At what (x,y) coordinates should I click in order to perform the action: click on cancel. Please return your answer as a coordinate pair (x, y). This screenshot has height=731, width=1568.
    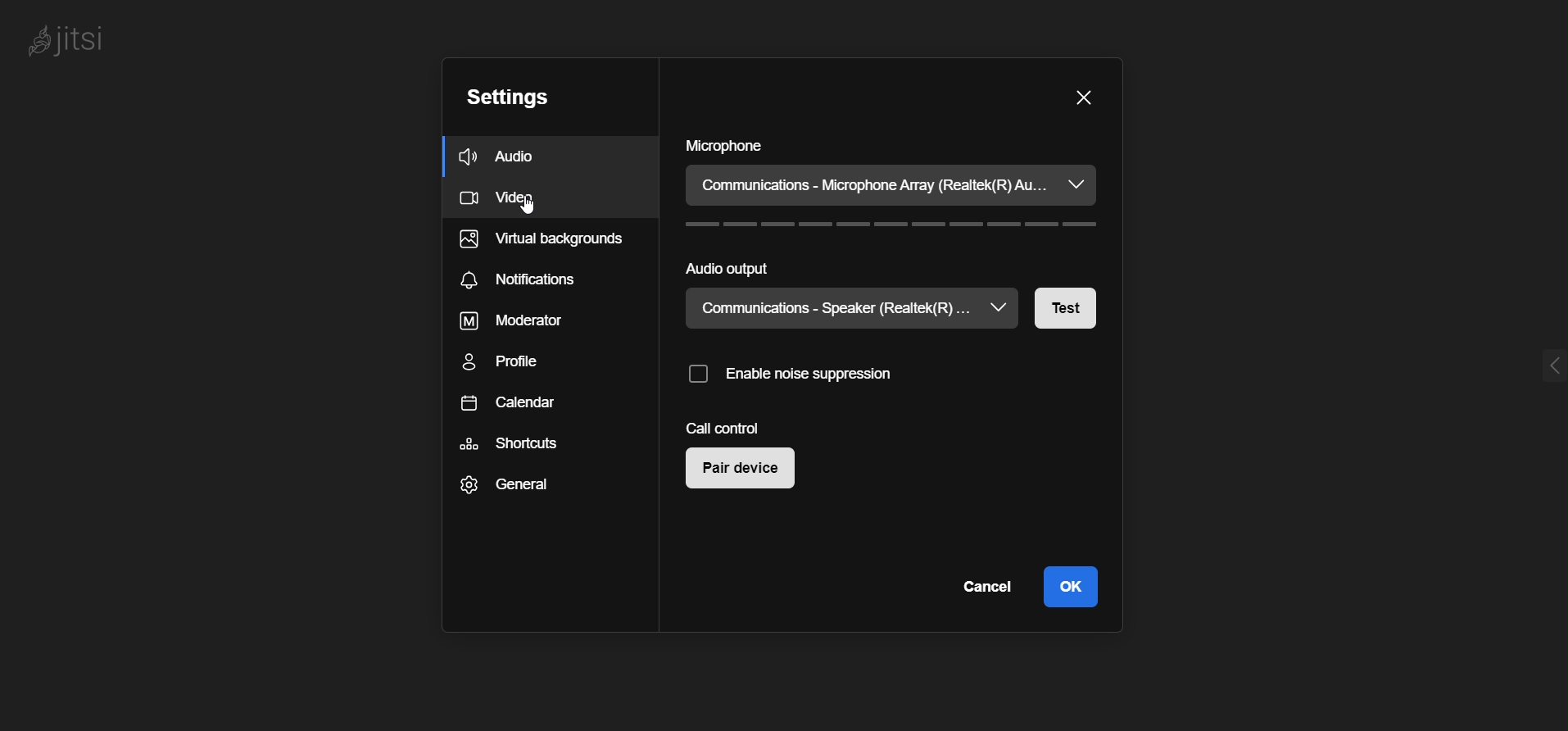
    Looking at the image, I should click on (982, 588).